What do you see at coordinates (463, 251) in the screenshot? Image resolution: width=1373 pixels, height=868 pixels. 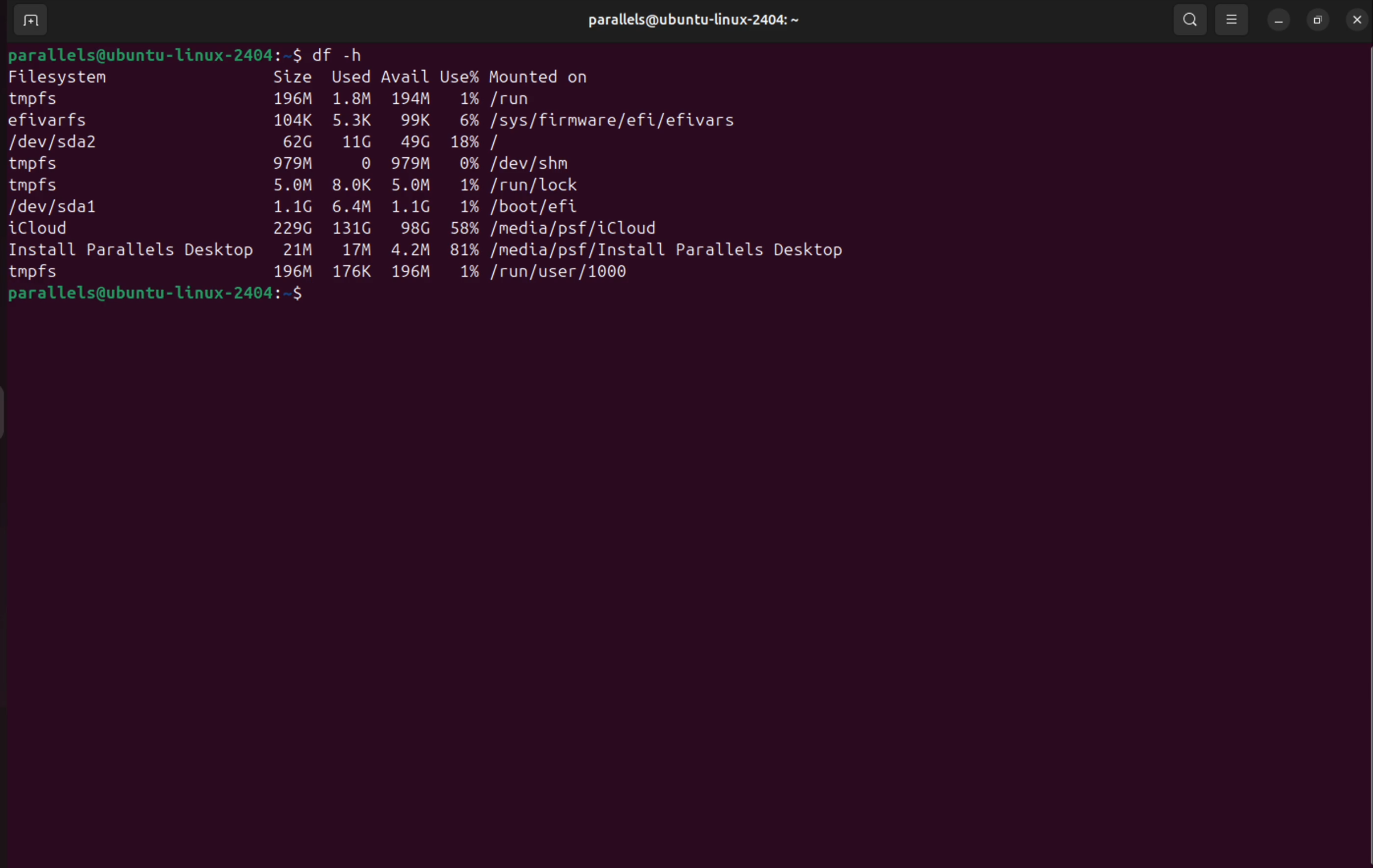 I see `81%` at bounding box center [463, 251].